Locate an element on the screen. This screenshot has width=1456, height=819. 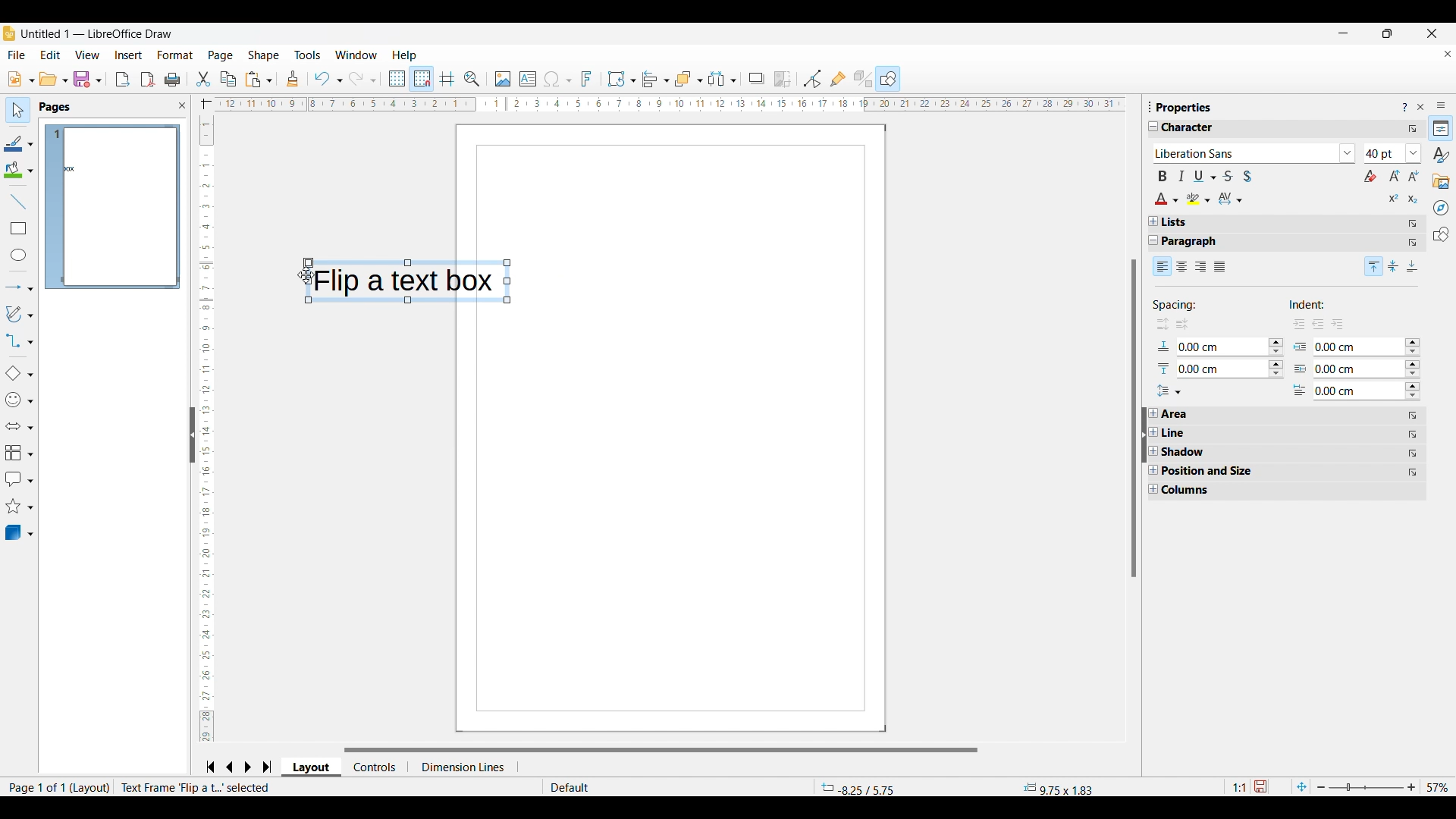
Close window is located at coordinates (1432, 33).